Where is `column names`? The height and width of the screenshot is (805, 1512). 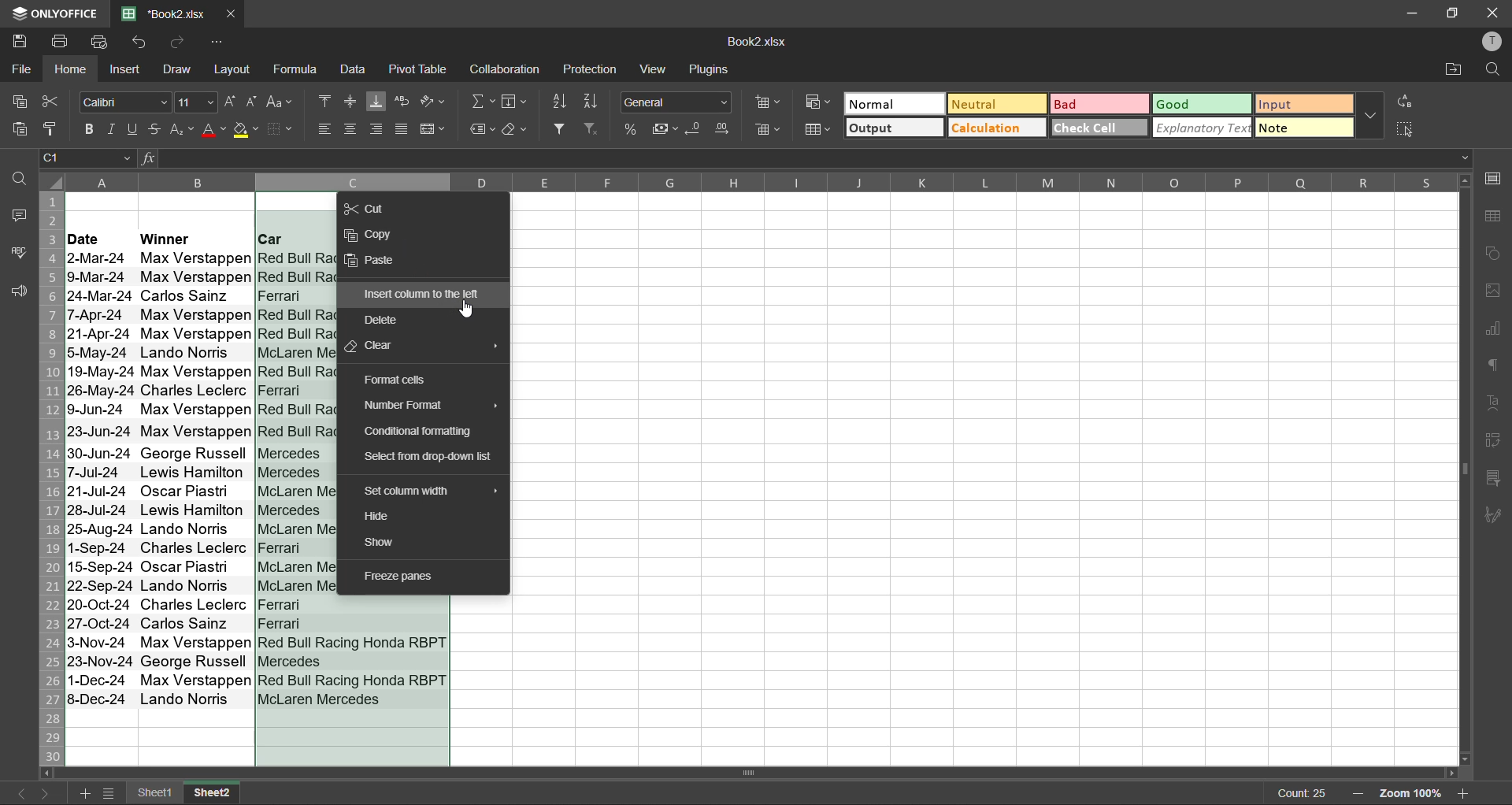 column names is located at coordinates (758, 182).